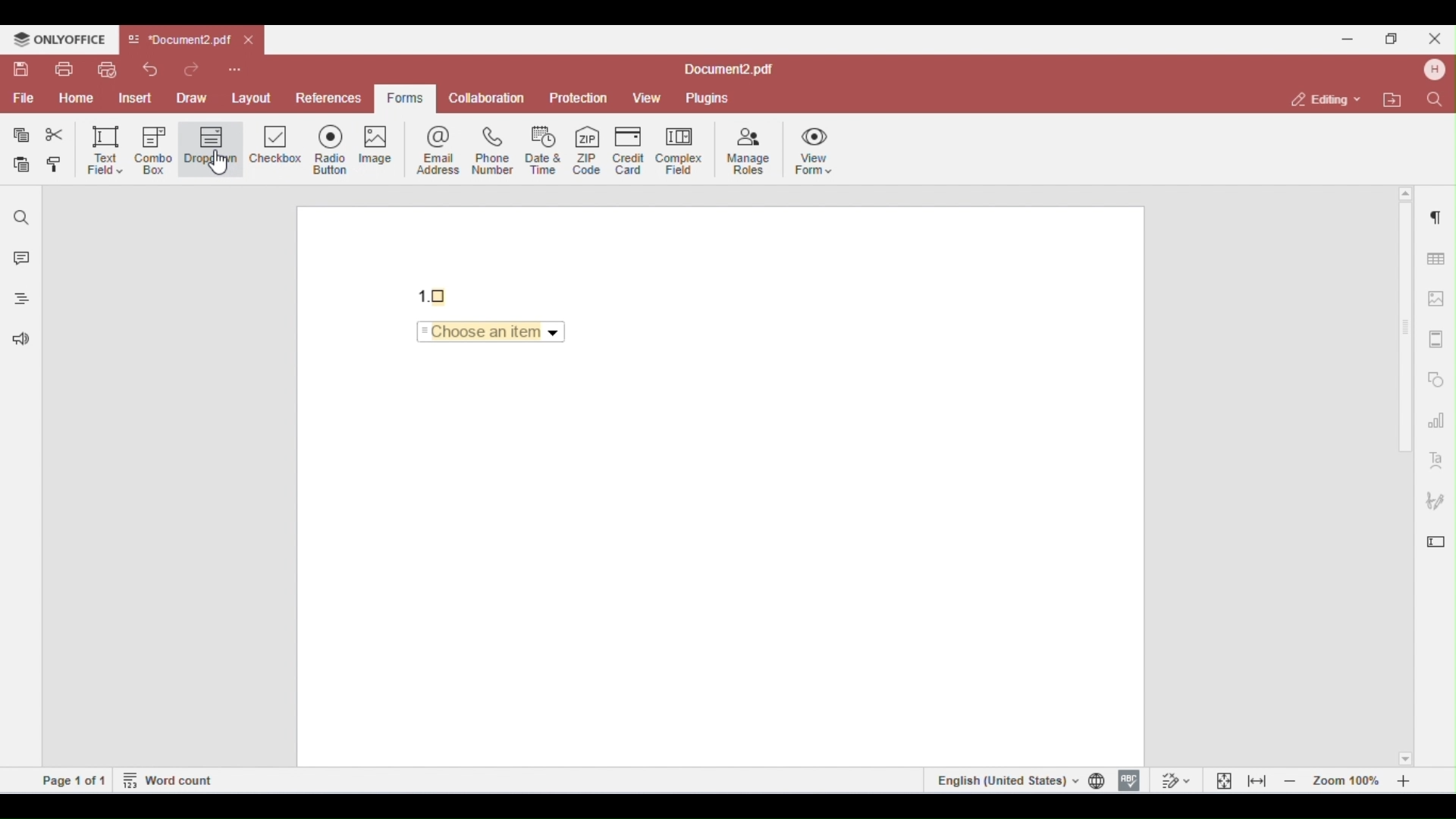 The image size is (1456, 819). Describe the element at coordinates (154, 150) in the screenshot. I see `combo box` at that location.